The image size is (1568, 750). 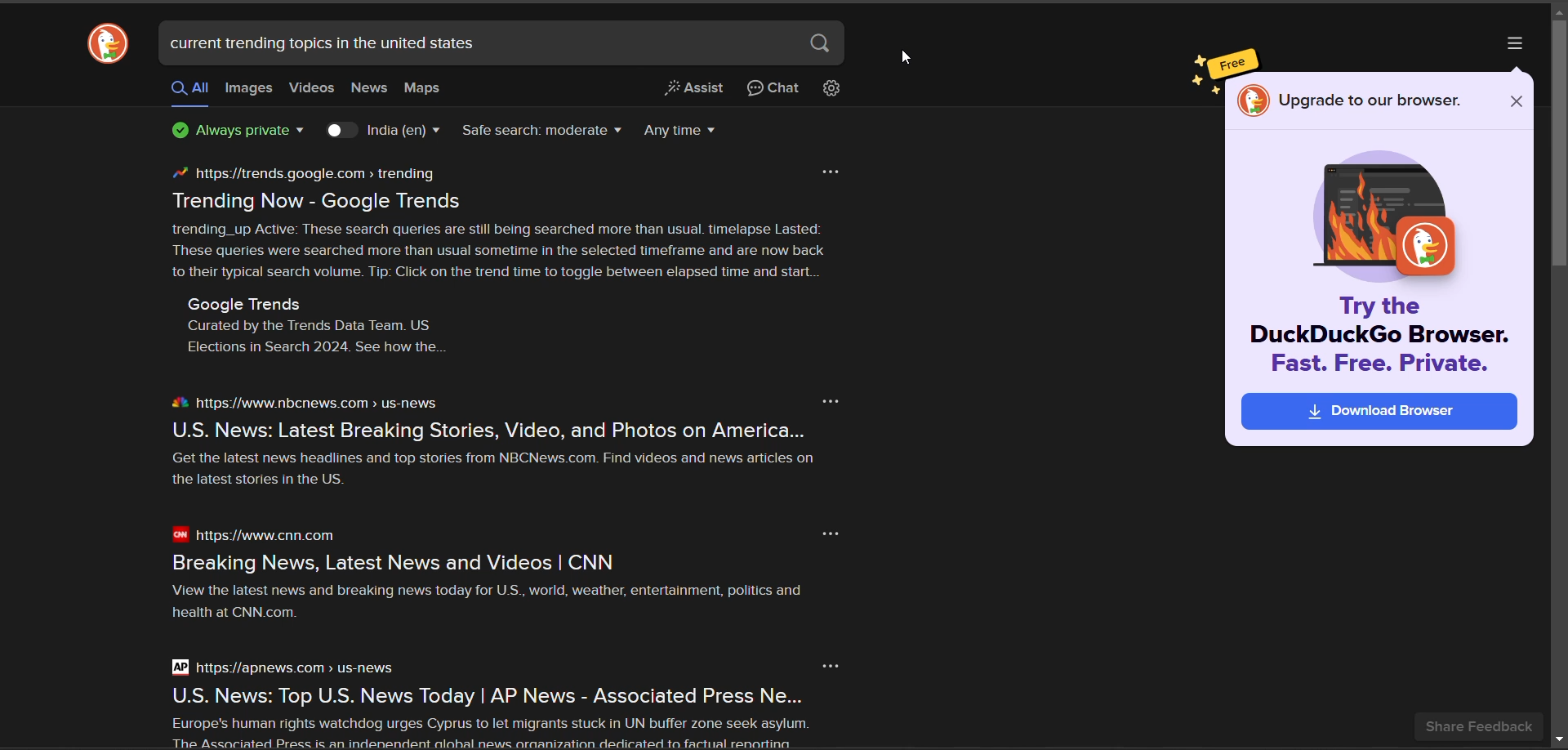 I want to click on Download Browser, so click(x=1379, y=413).